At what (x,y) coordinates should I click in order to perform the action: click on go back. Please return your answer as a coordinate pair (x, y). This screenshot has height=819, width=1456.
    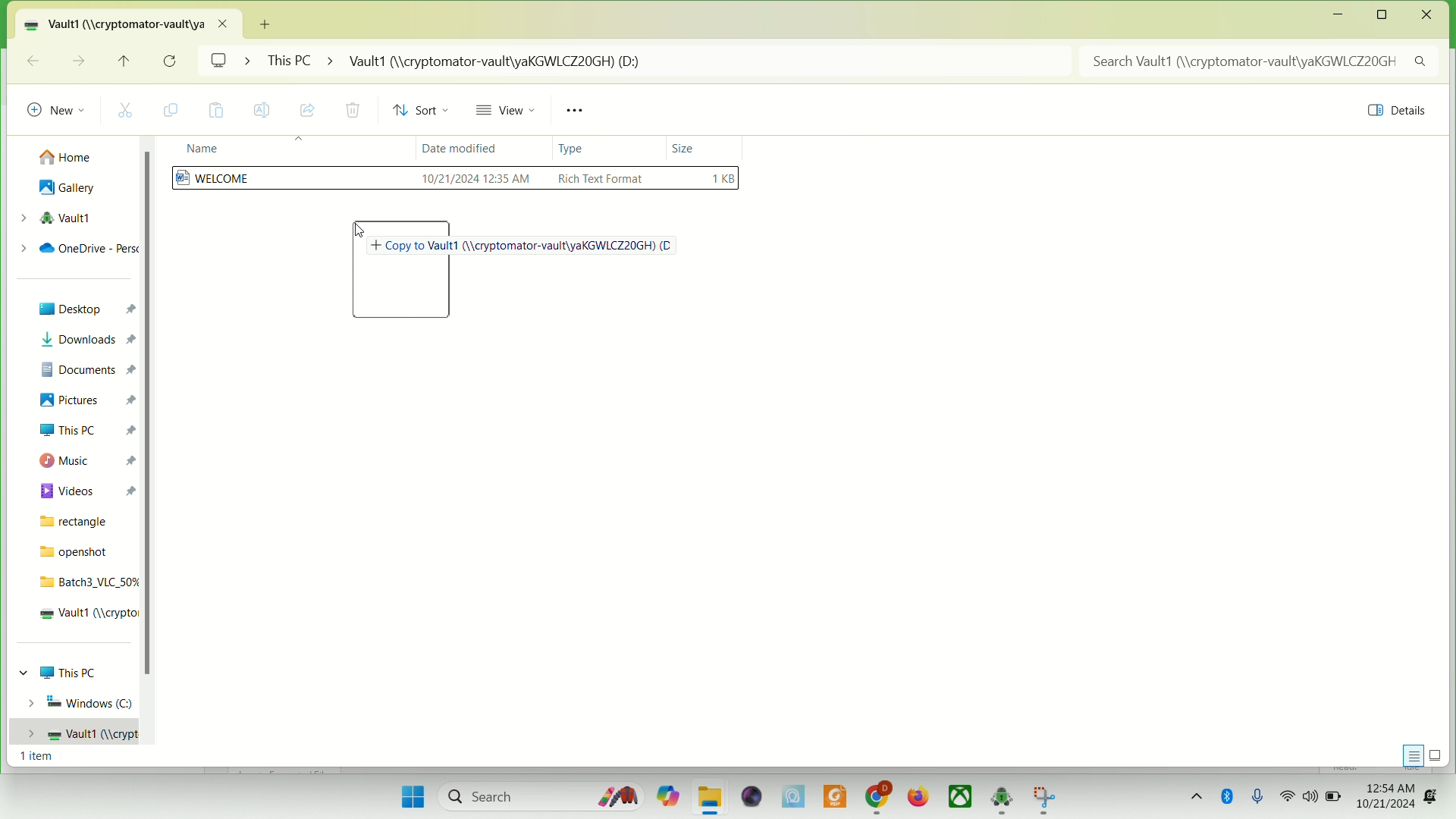
    Looking at the image, I should click on (33, 60).